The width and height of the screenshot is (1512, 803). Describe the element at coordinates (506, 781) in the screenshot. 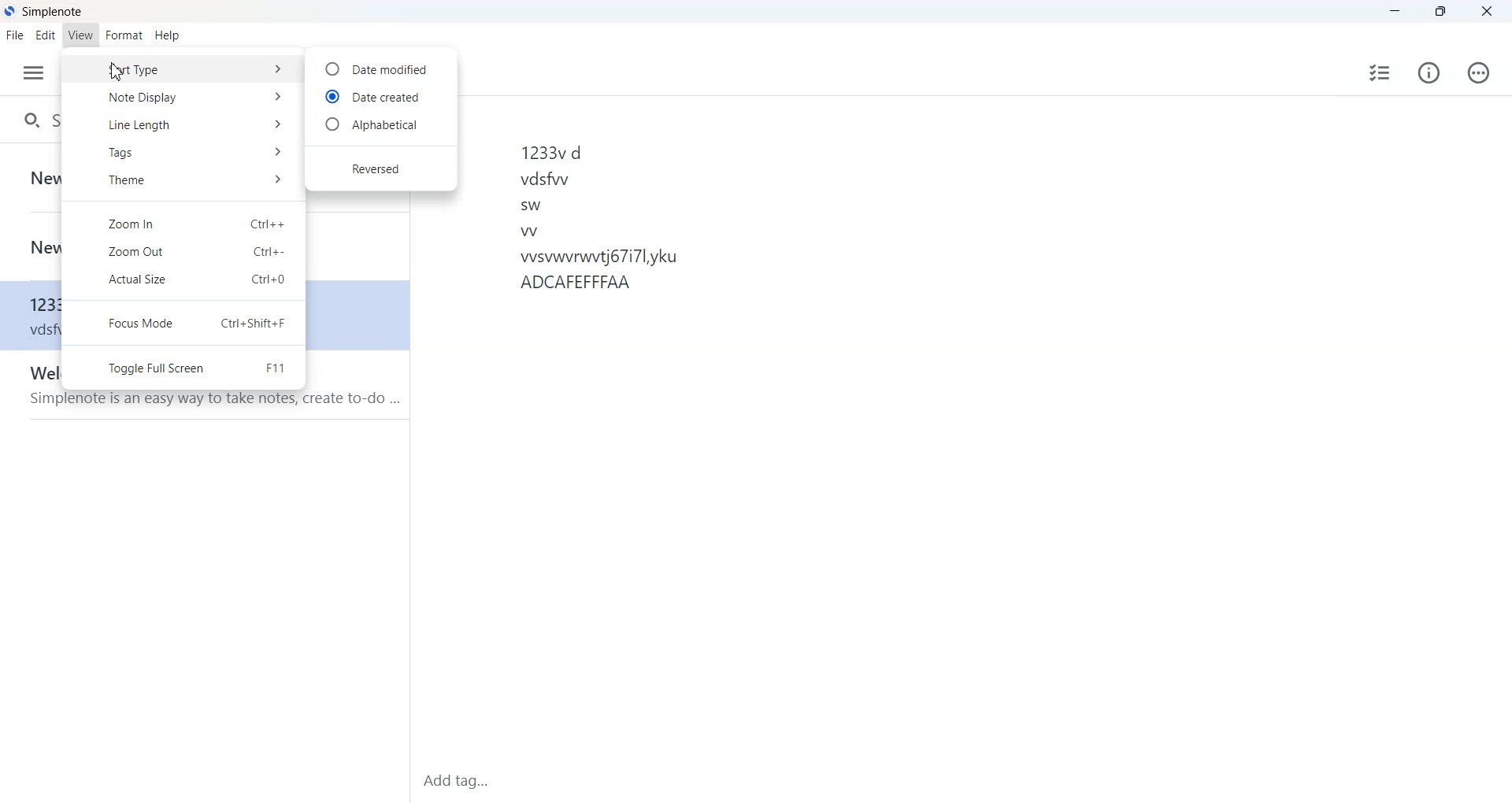

I see `Add tag` at that location.